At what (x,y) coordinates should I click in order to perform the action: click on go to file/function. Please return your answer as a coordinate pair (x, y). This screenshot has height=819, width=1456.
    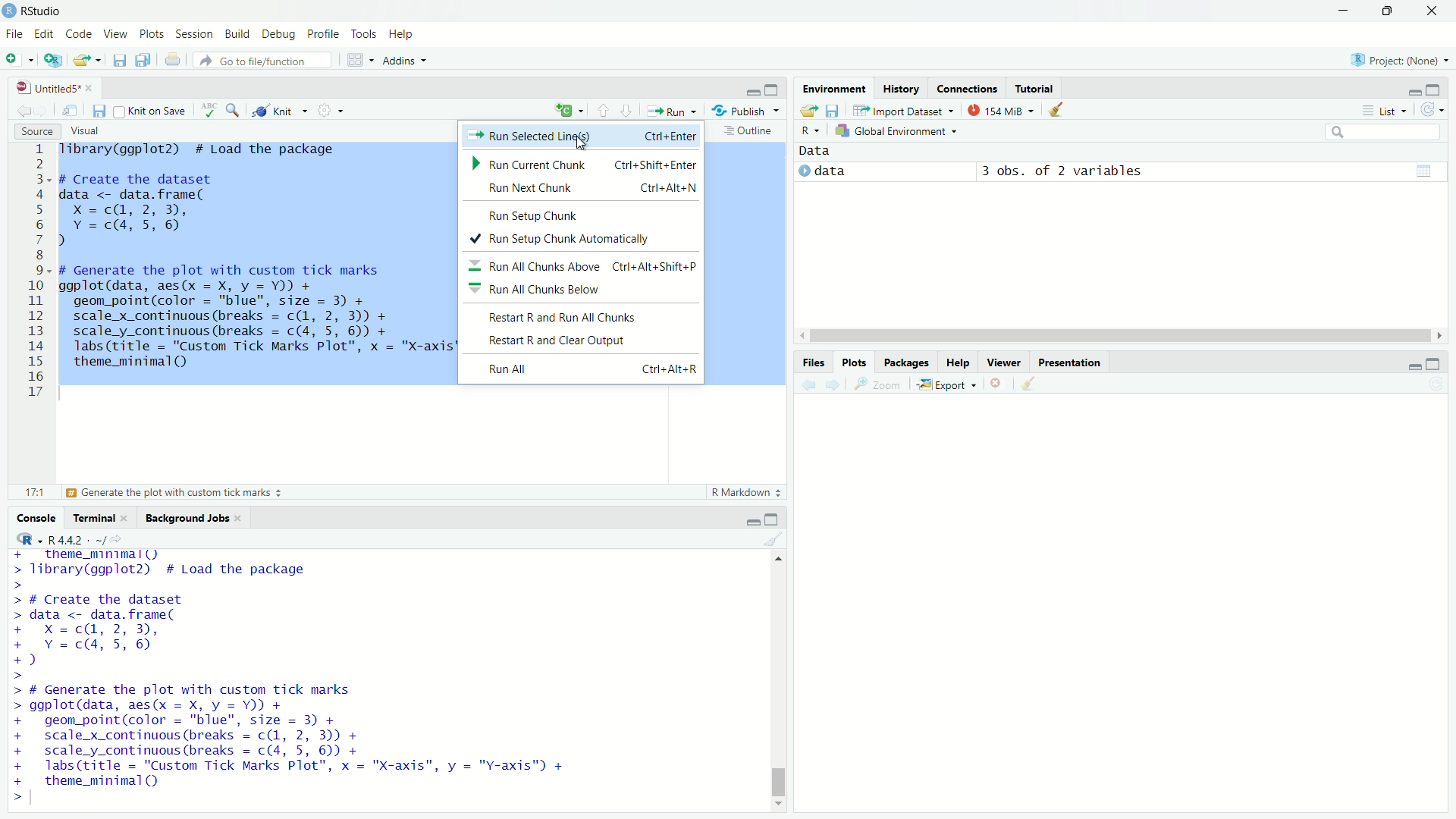
    Looking at the image, I should click on (262, 60).